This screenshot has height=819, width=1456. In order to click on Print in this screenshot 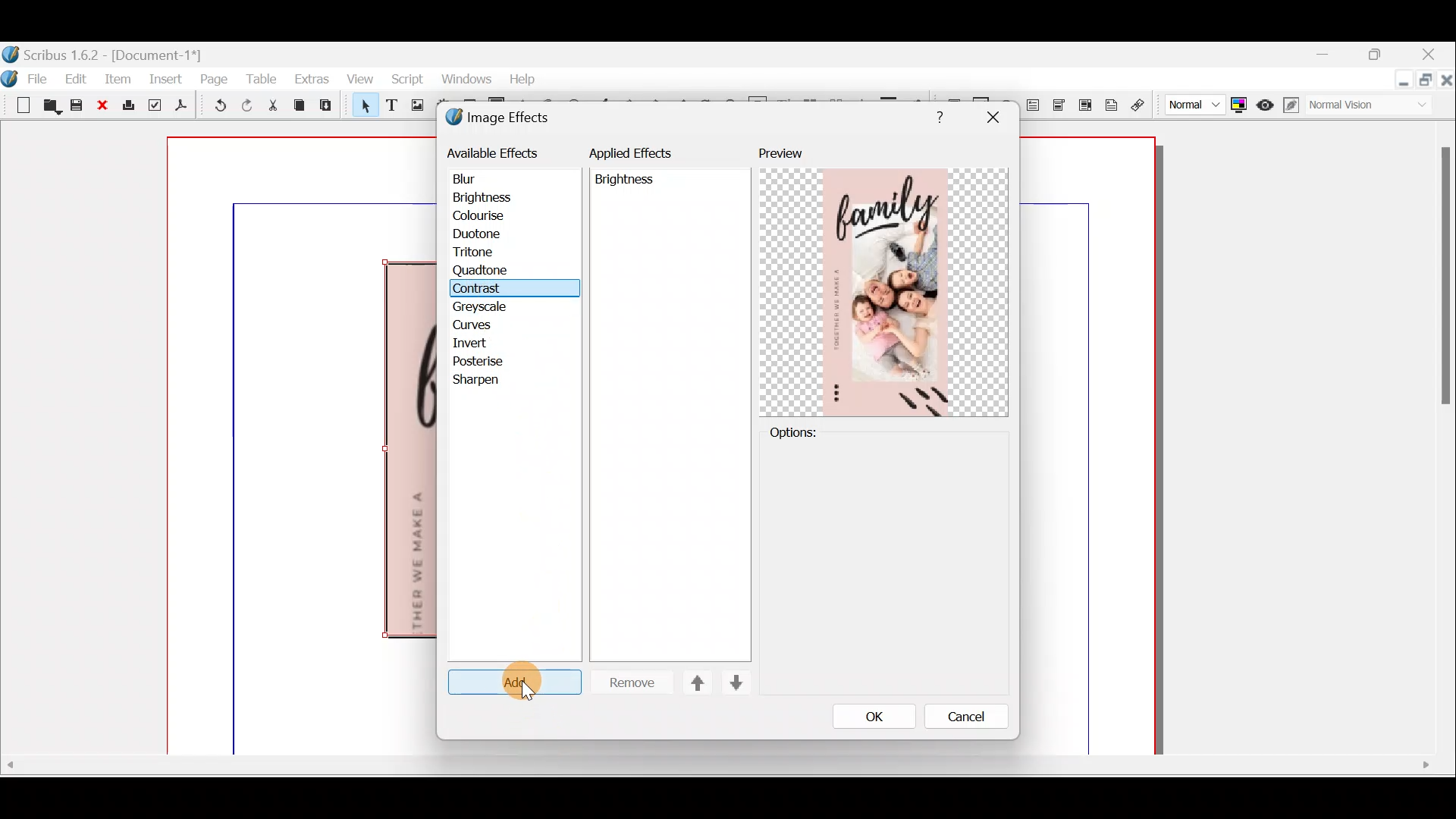, I will do `click(130, 106)`.